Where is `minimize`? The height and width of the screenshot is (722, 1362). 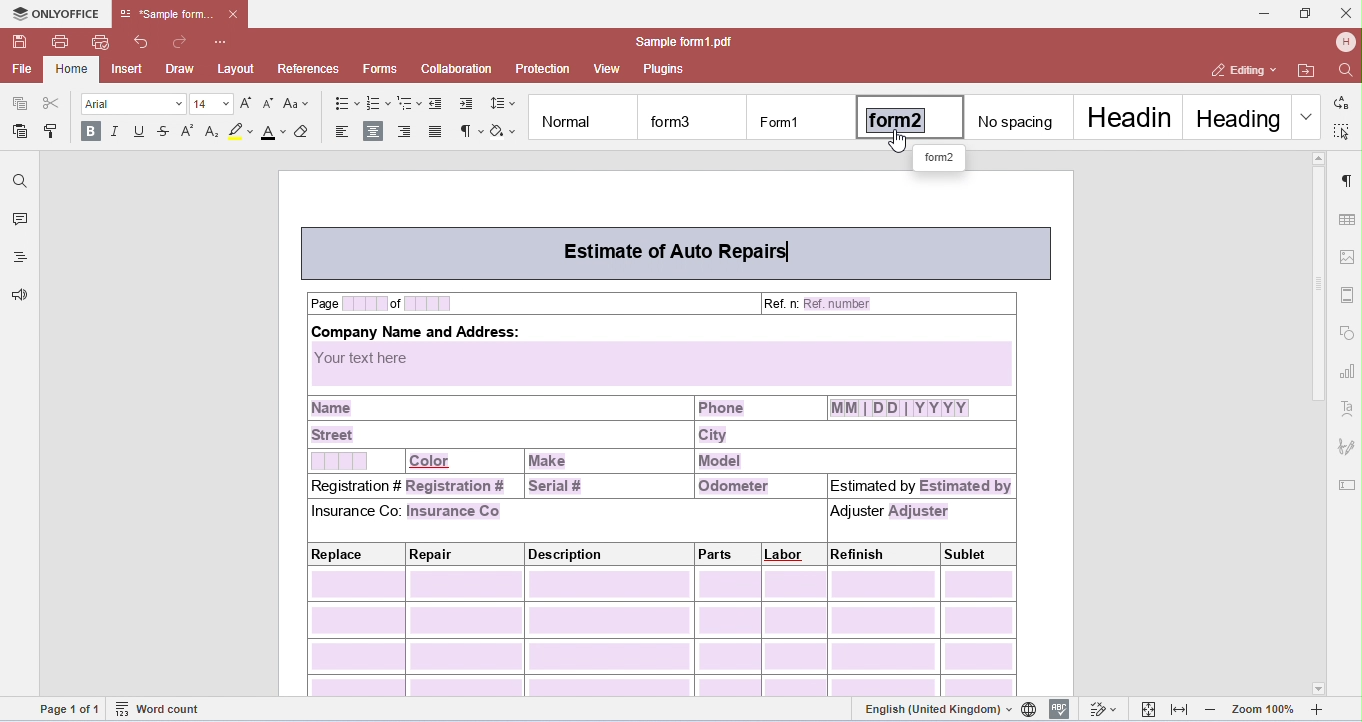 minimize is located at coordinates (1264, 14).